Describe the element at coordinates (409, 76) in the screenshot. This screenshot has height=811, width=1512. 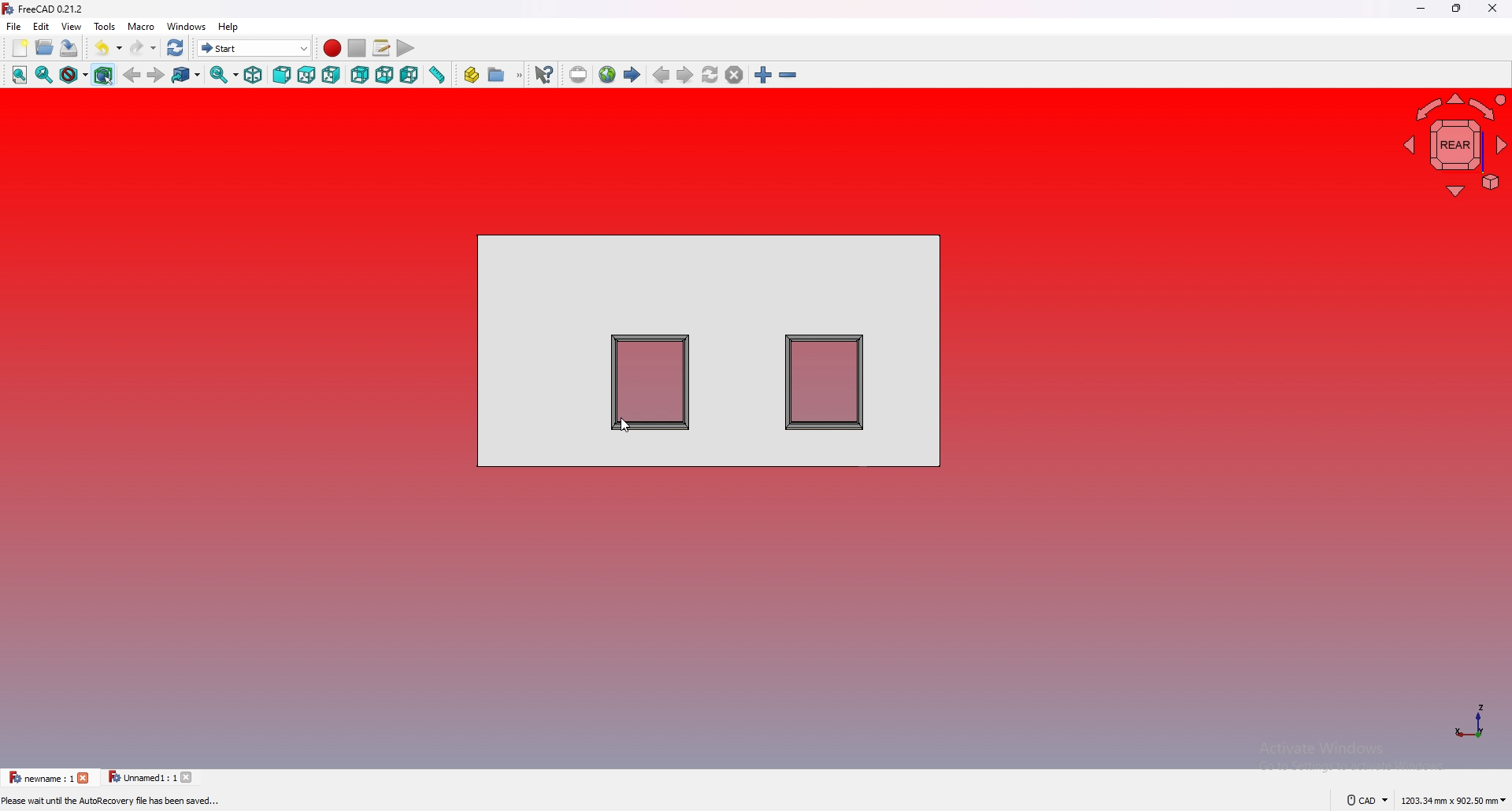
I see `left` at that location.